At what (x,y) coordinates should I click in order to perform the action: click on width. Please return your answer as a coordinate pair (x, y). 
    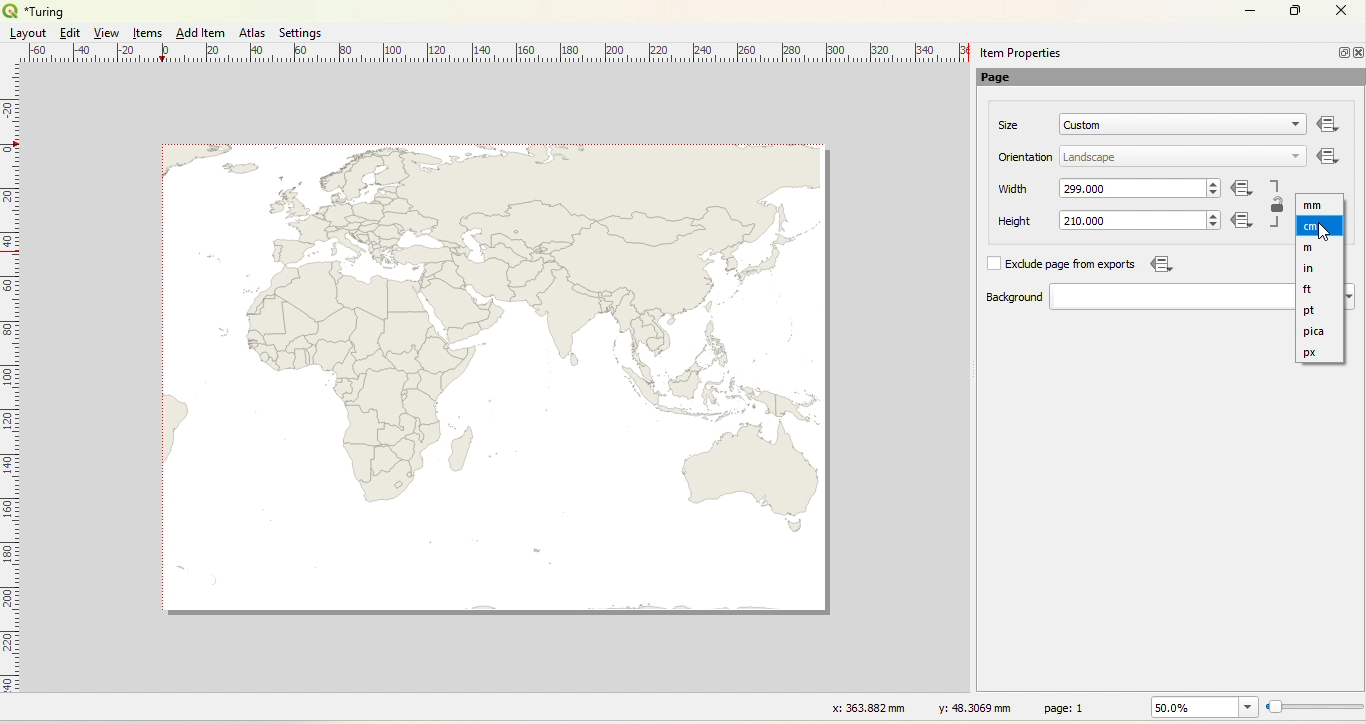
    Looking at the image, I should click on (1013, 189).